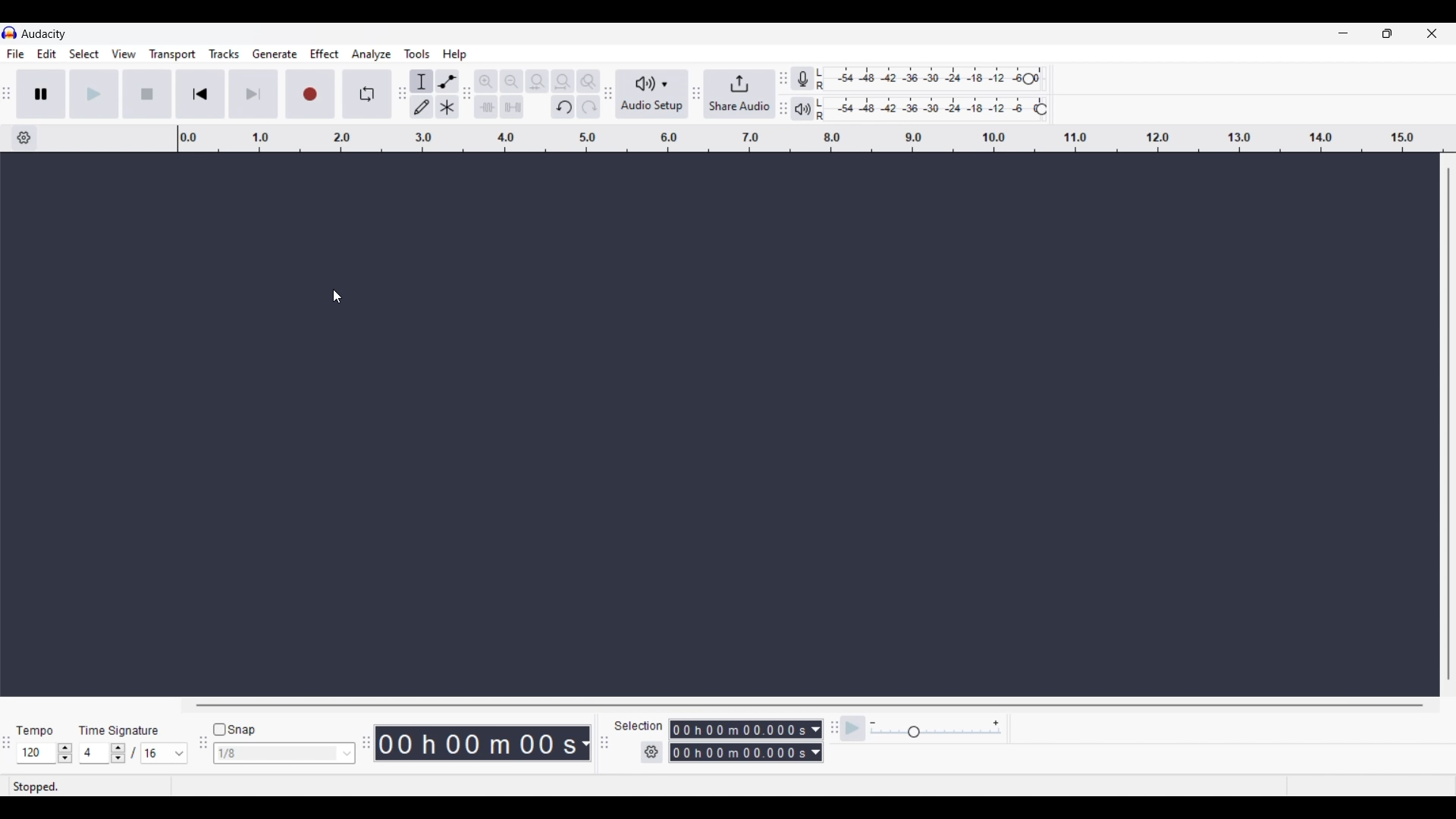 The height and width of the screenshot is (819, 1456). I want to click on Envelop tool, so click(447, 81).